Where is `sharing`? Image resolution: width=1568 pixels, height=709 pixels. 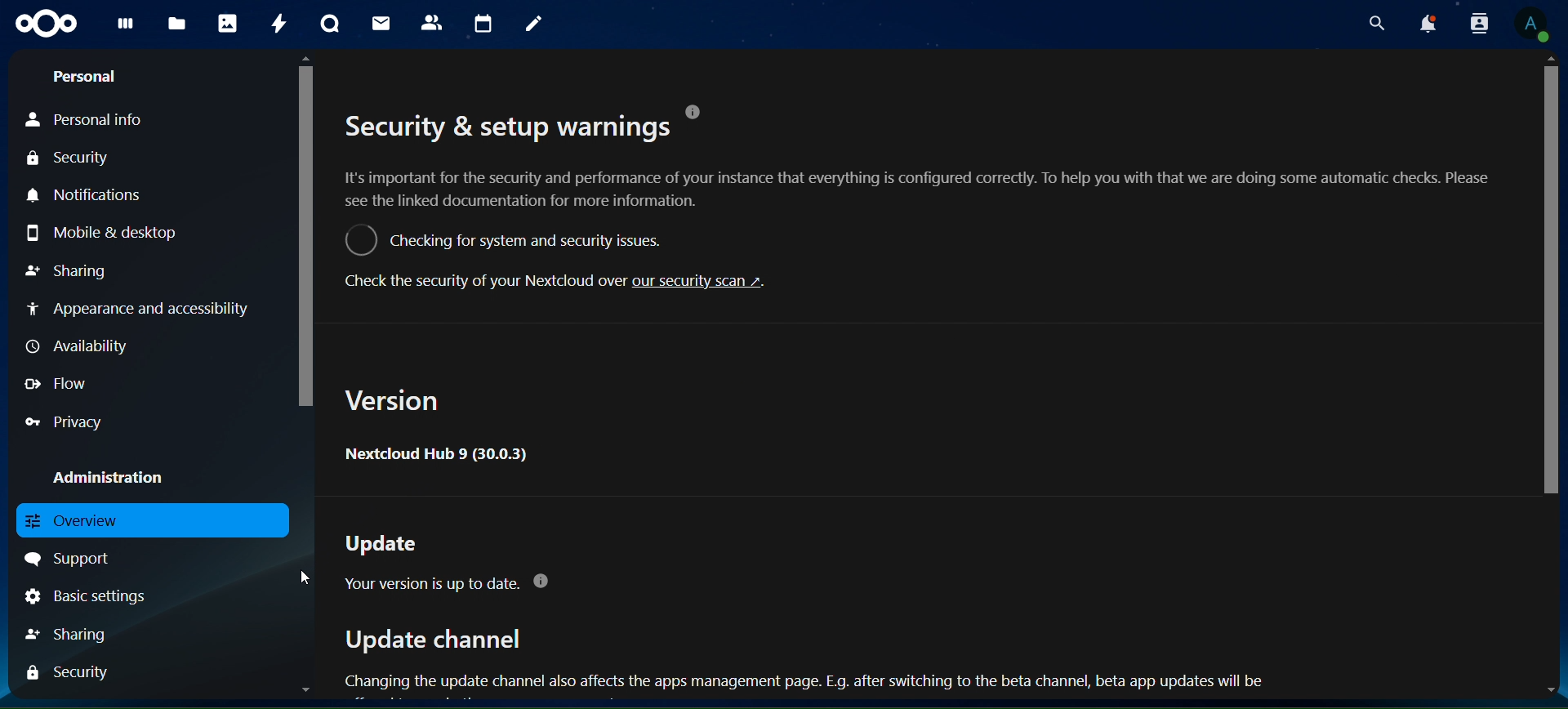
sharing is located at coordinates (63, 271).